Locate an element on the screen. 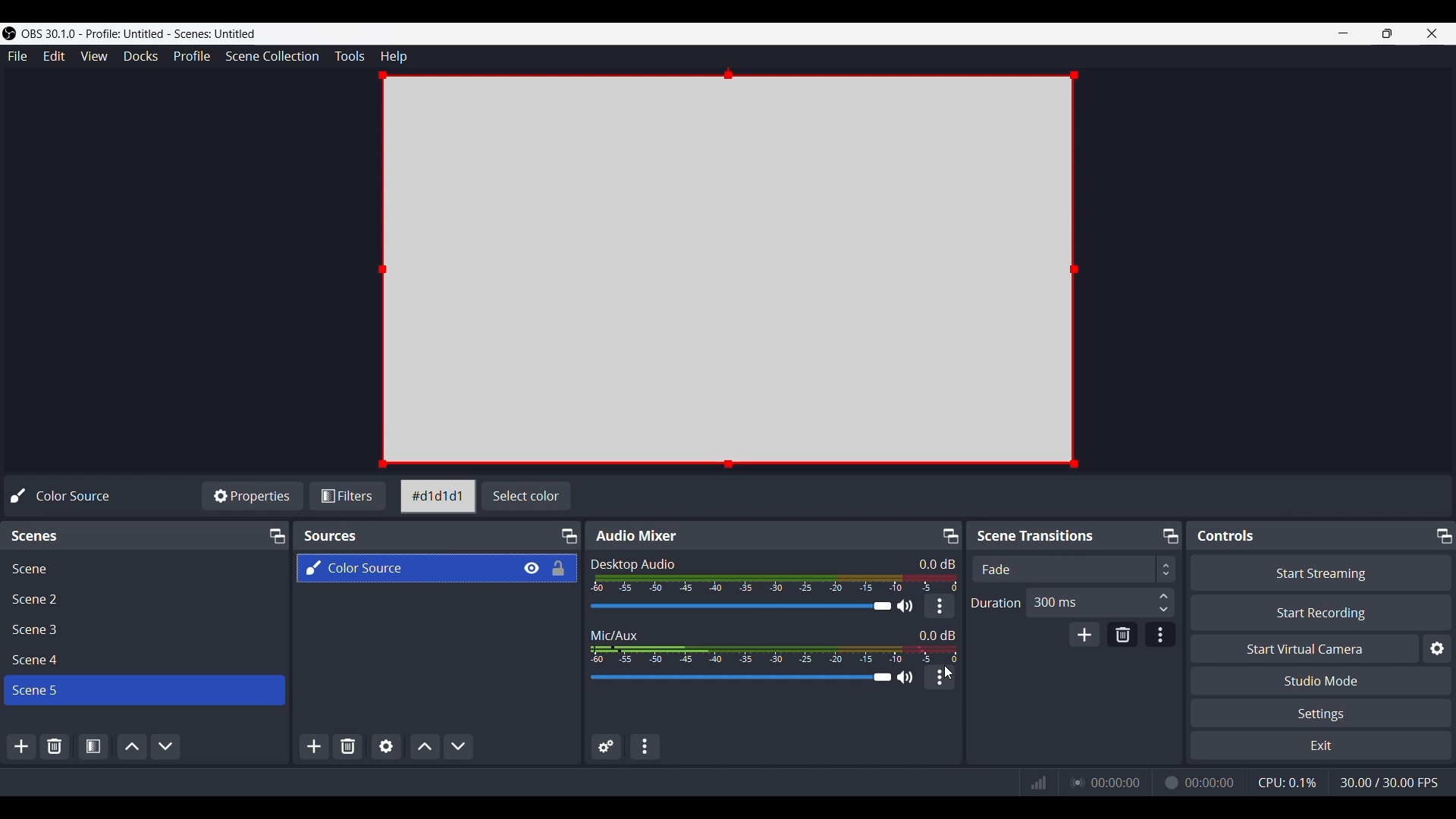 Image resolution: width=1456 pixels, height=819 pixels. Add Sources is located at coordinates (312, 746).